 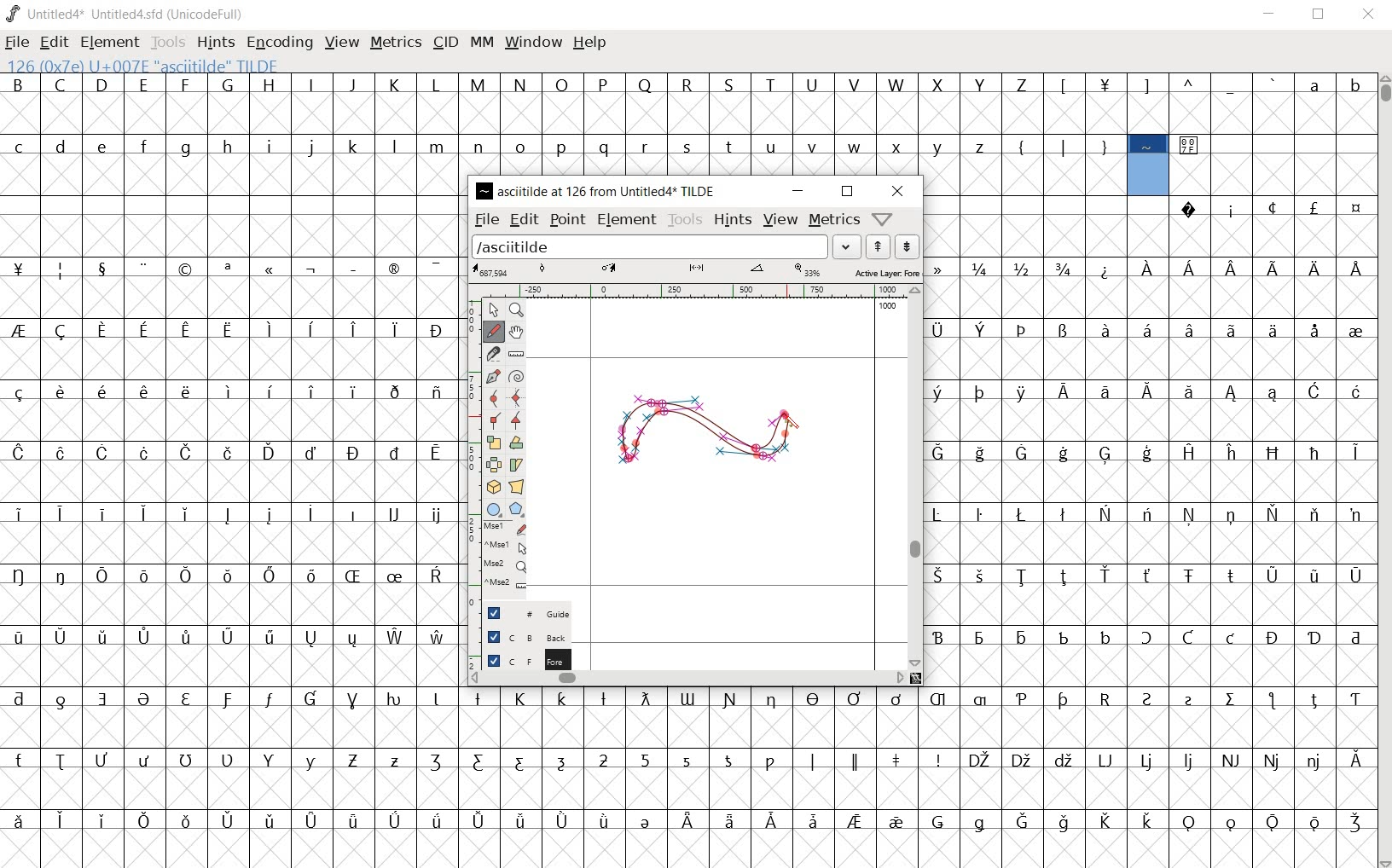 What do you see at coordinates (685, 221) in the screenshot?
I see `tools` at bounding box center [685, 221].